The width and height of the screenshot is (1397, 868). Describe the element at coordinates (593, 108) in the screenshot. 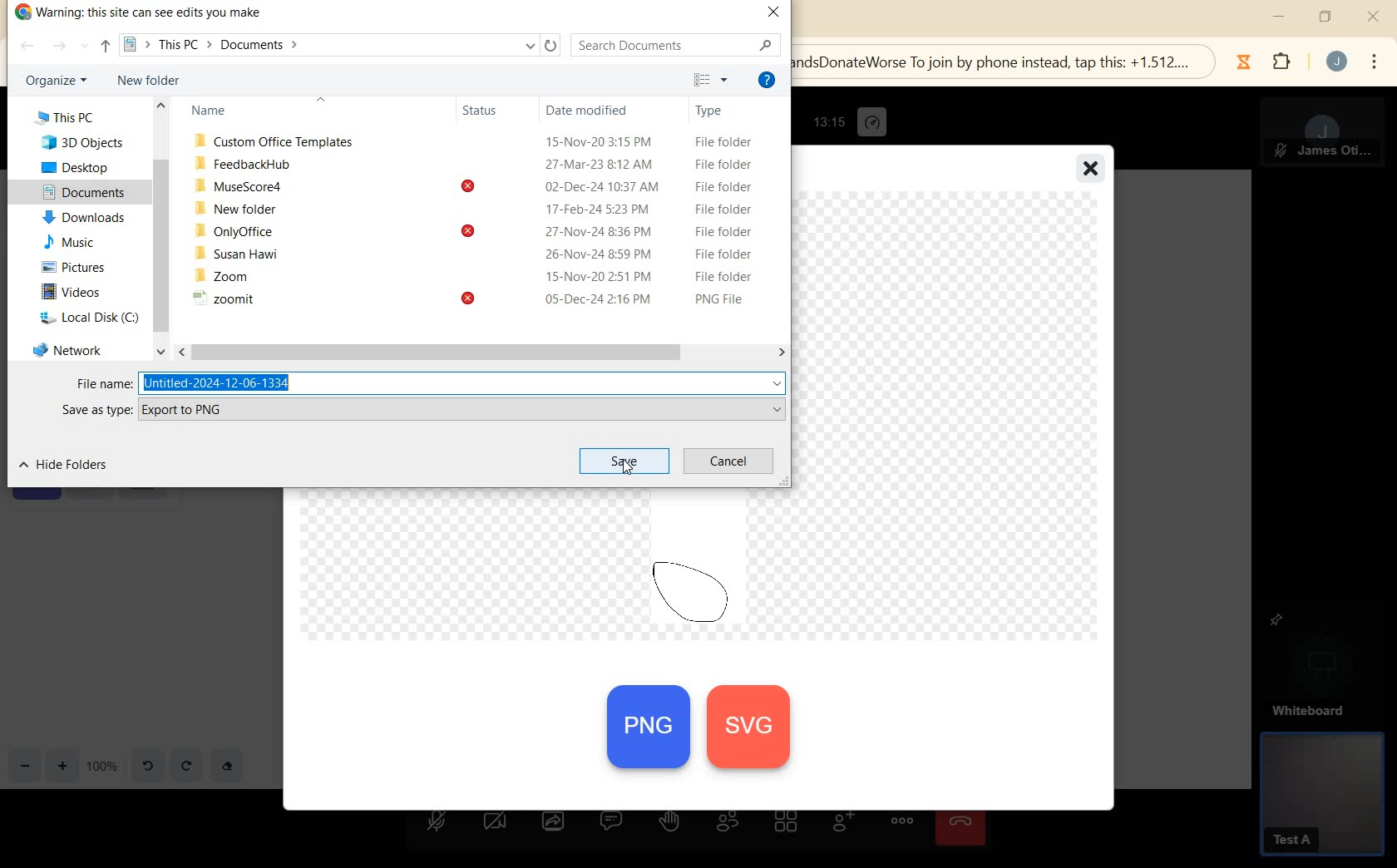

I see `Date modified` at that location.